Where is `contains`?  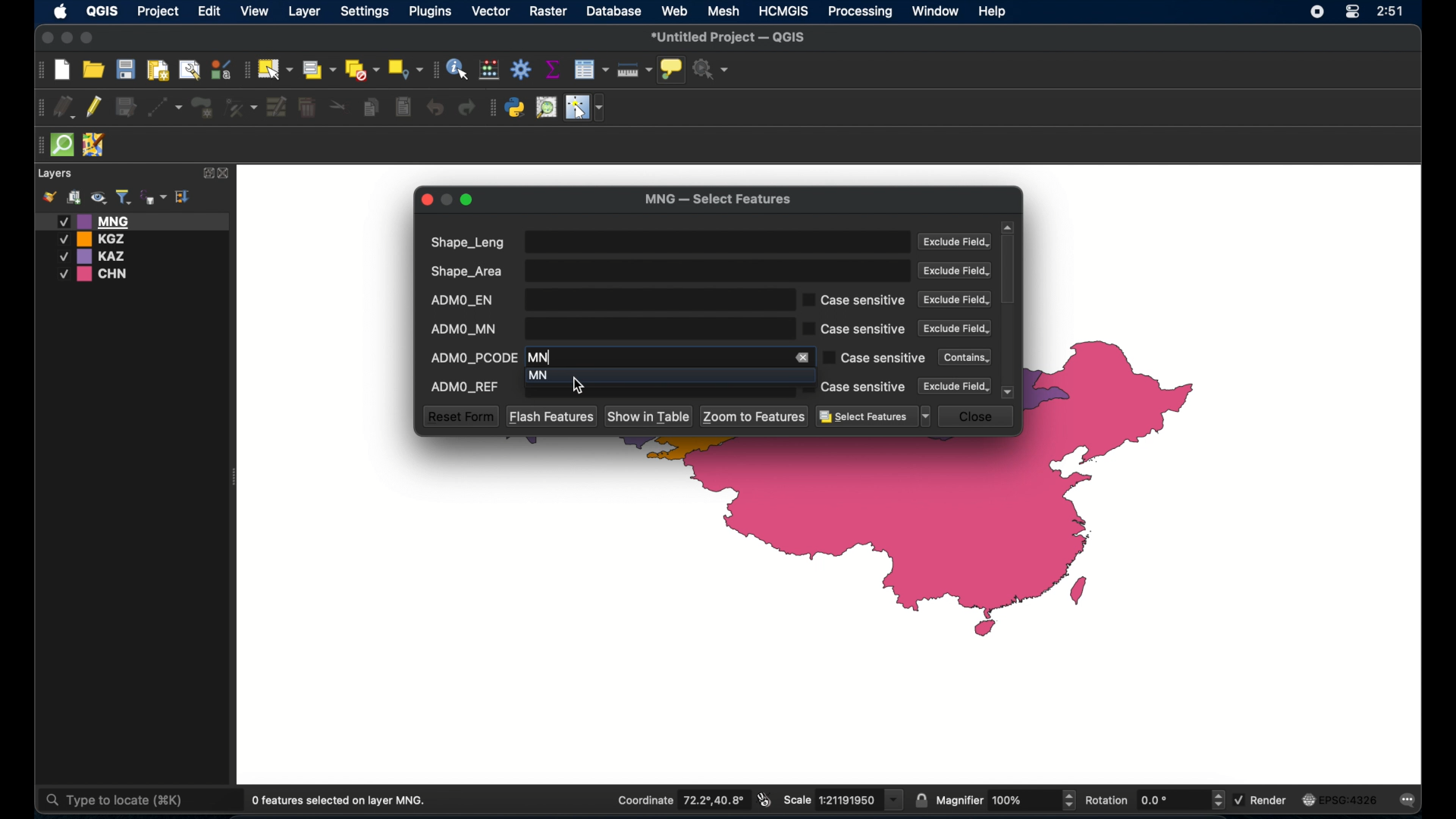 contains is located at coordinates (961, 356).